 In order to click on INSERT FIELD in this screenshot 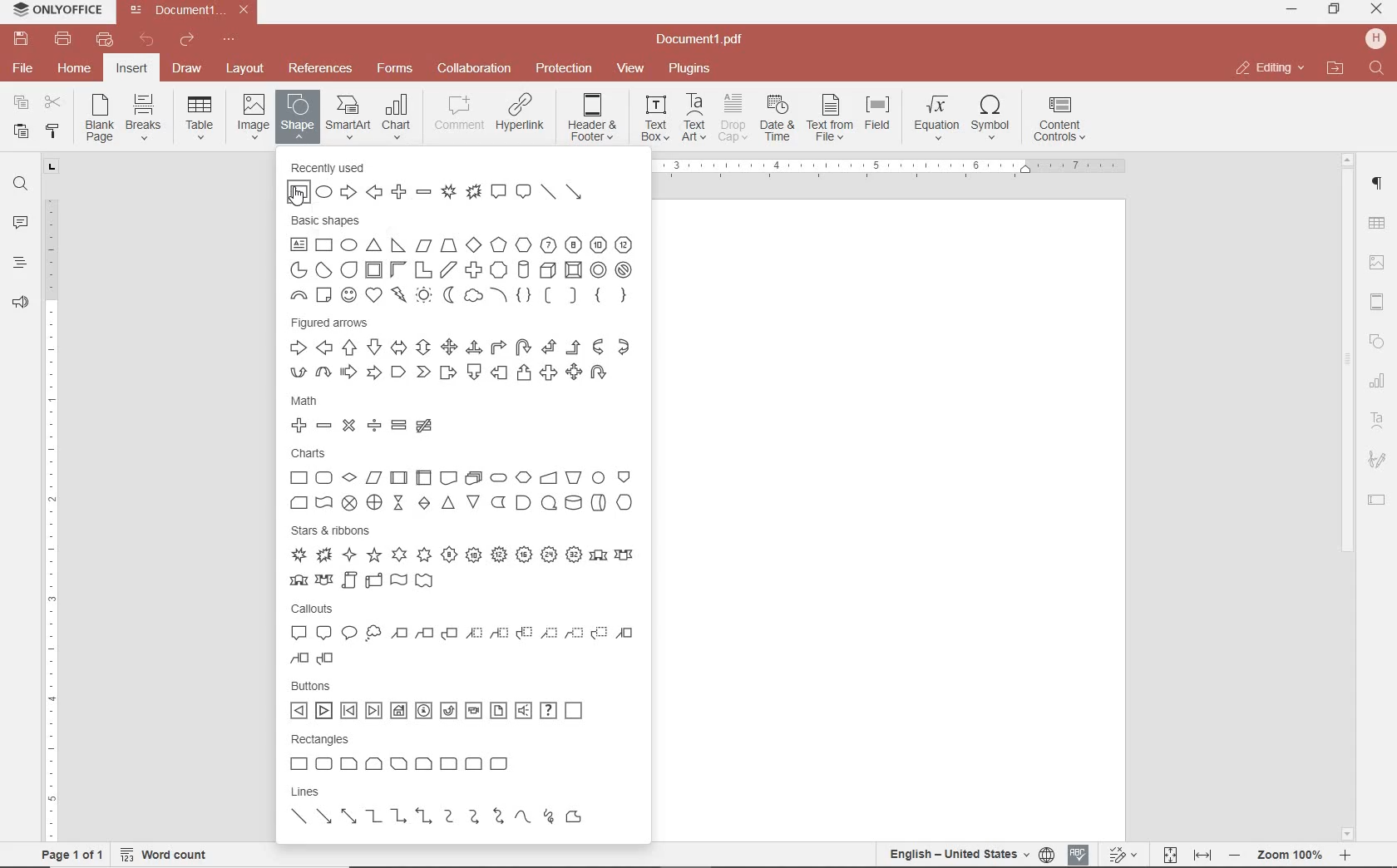, I will do `click(879, 113)`.